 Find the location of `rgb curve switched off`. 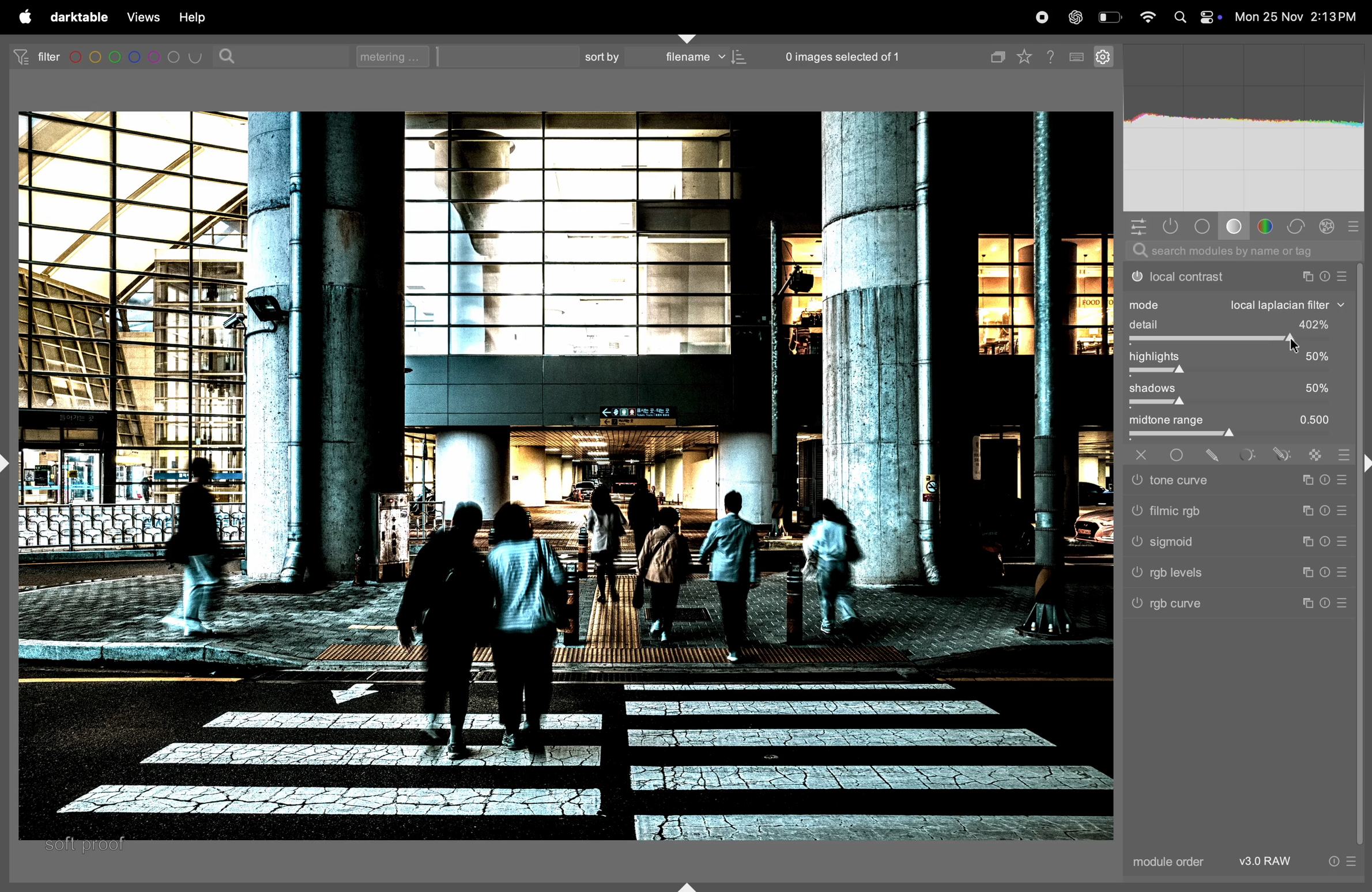

rgb curve switched off is located at coordinates (1139, 605).